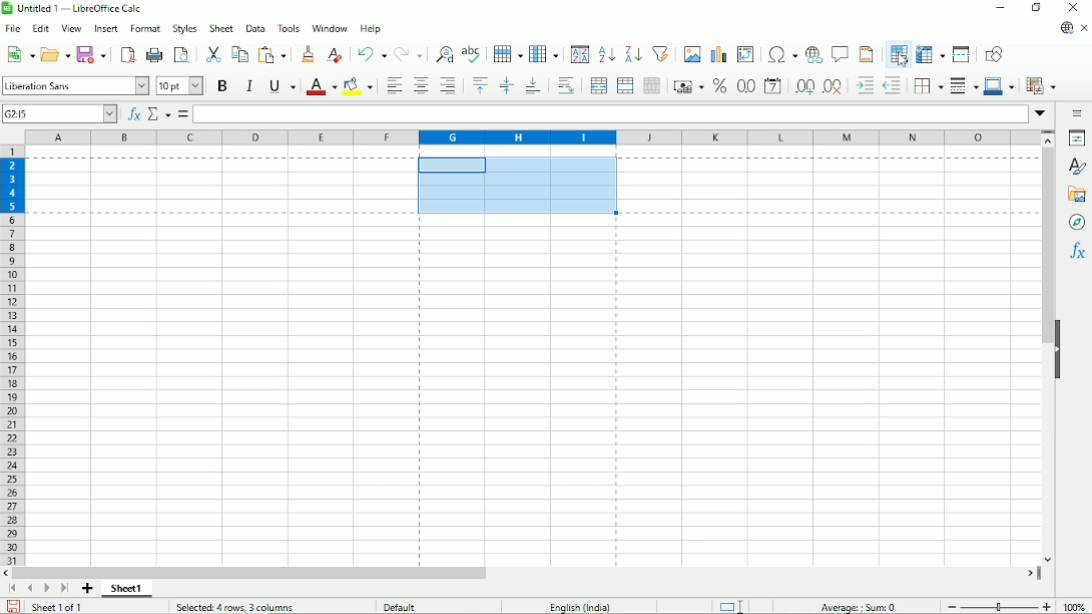 Image resolution: width=1092 pixels, height=614 pixels. Describe the element at coordinates (442, 53) in the screenshot. I see `Find and replace` at that location.